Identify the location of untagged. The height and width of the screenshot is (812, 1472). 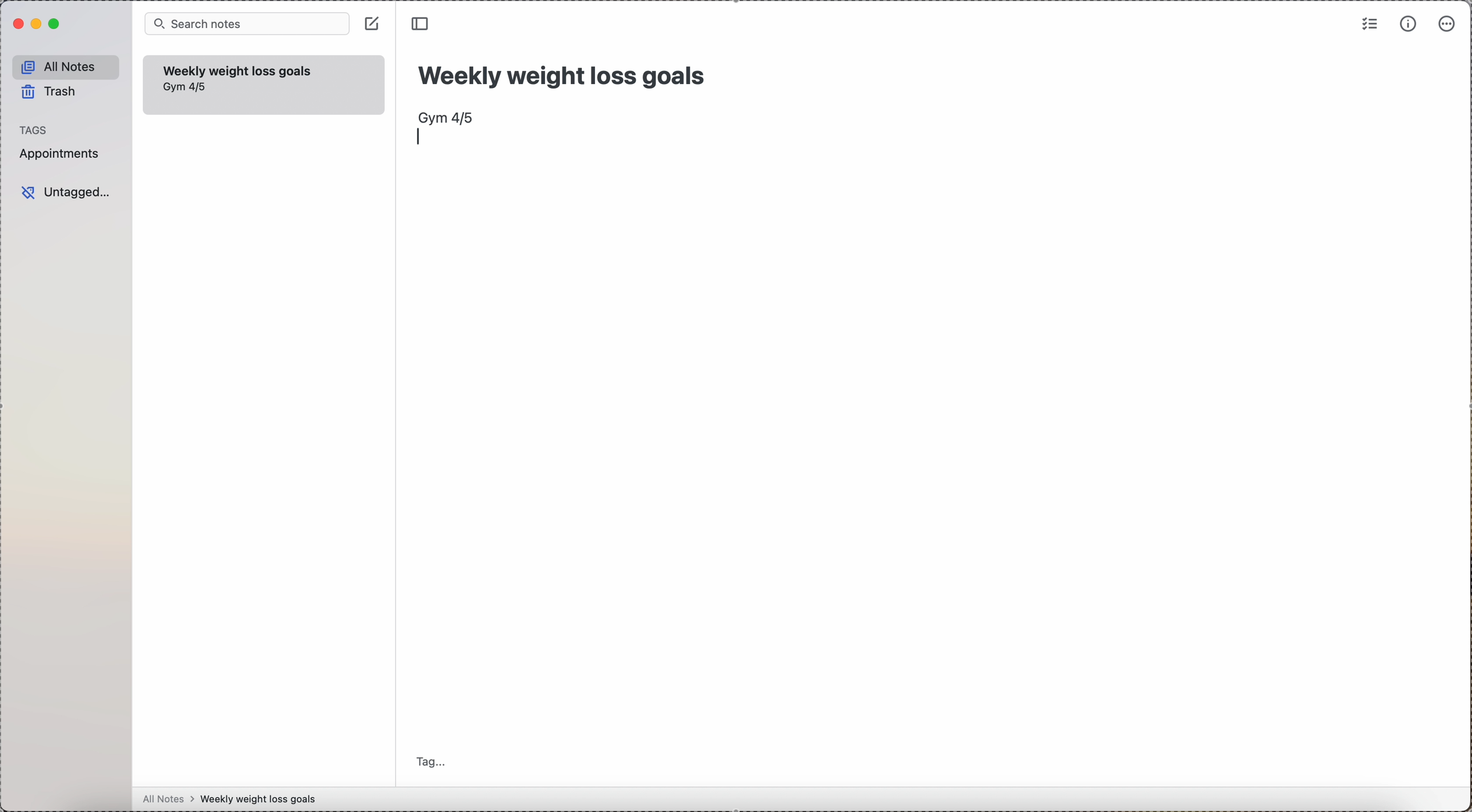
(68, 191).